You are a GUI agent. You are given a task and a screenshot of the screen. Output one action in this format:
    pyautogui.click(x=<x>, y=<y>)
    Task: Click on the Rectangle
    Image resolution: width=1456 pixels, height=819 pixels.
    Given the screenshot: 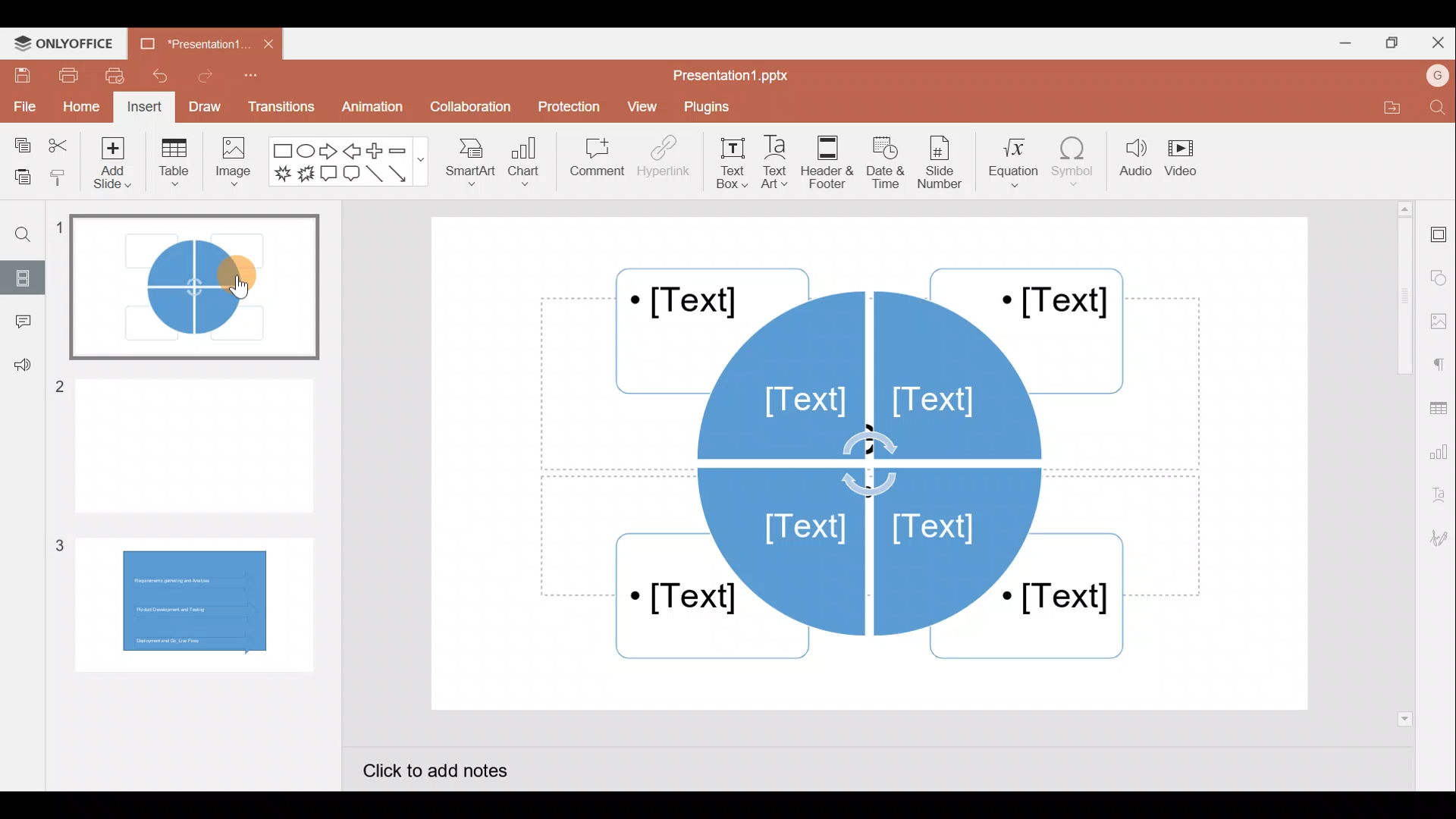 What is the action you would take?
    pyautogui.click(x=279, y=151)
    